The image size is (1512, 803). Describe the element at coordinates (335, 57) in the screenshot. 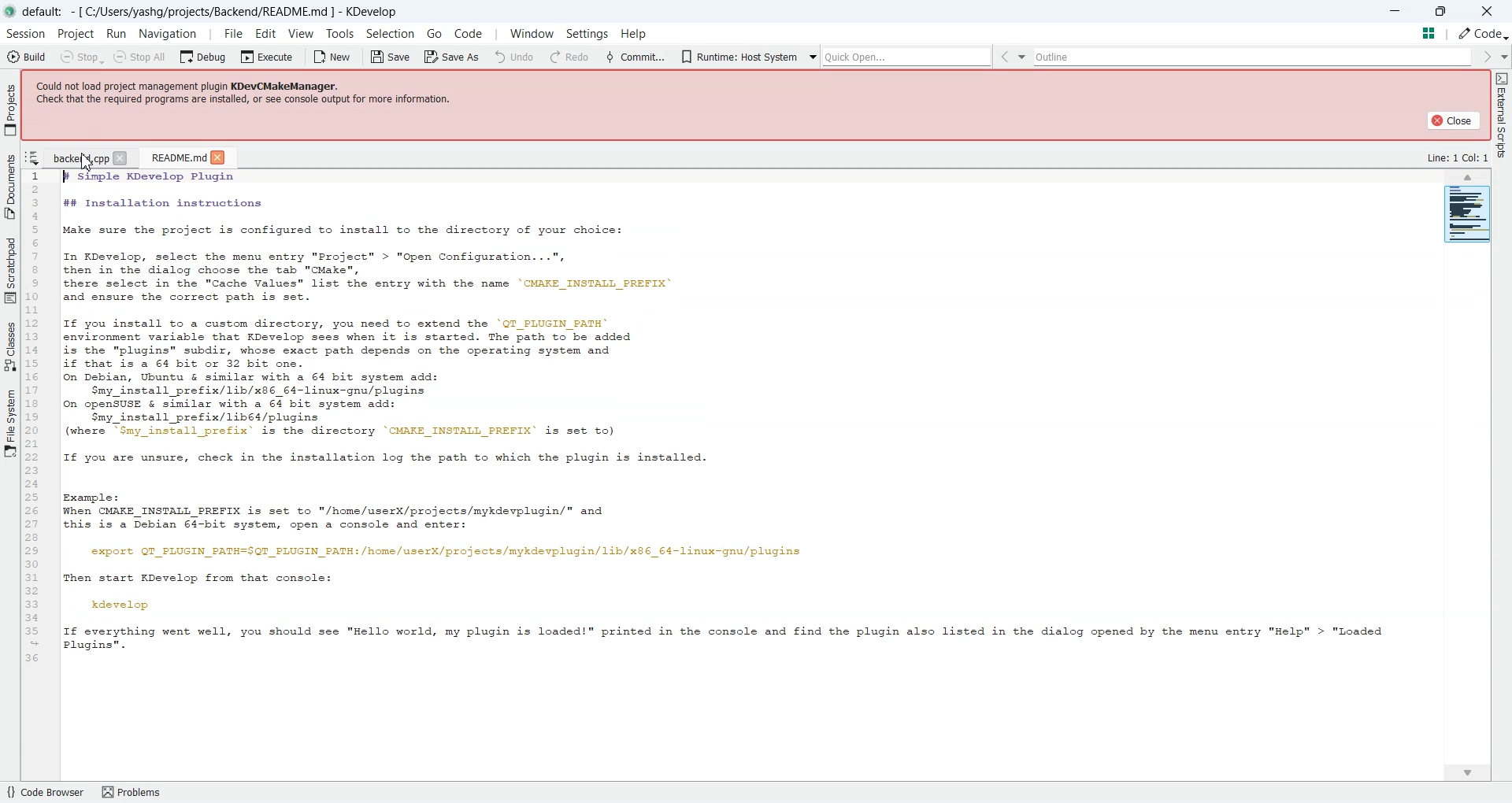

I see `New` at that location.